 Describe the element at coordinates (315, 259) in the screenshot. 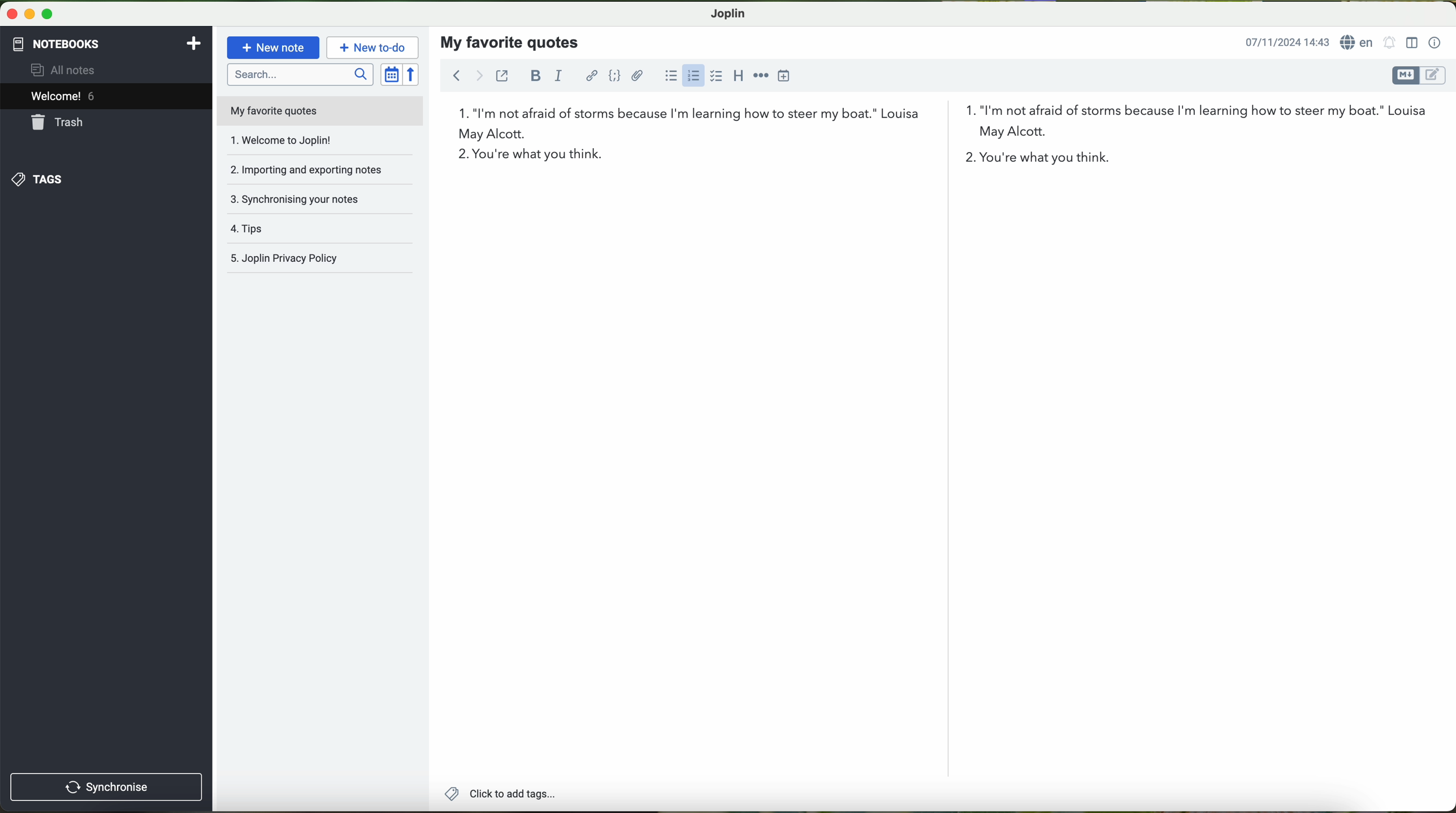

I see `Joplin privacy policy` at that location.